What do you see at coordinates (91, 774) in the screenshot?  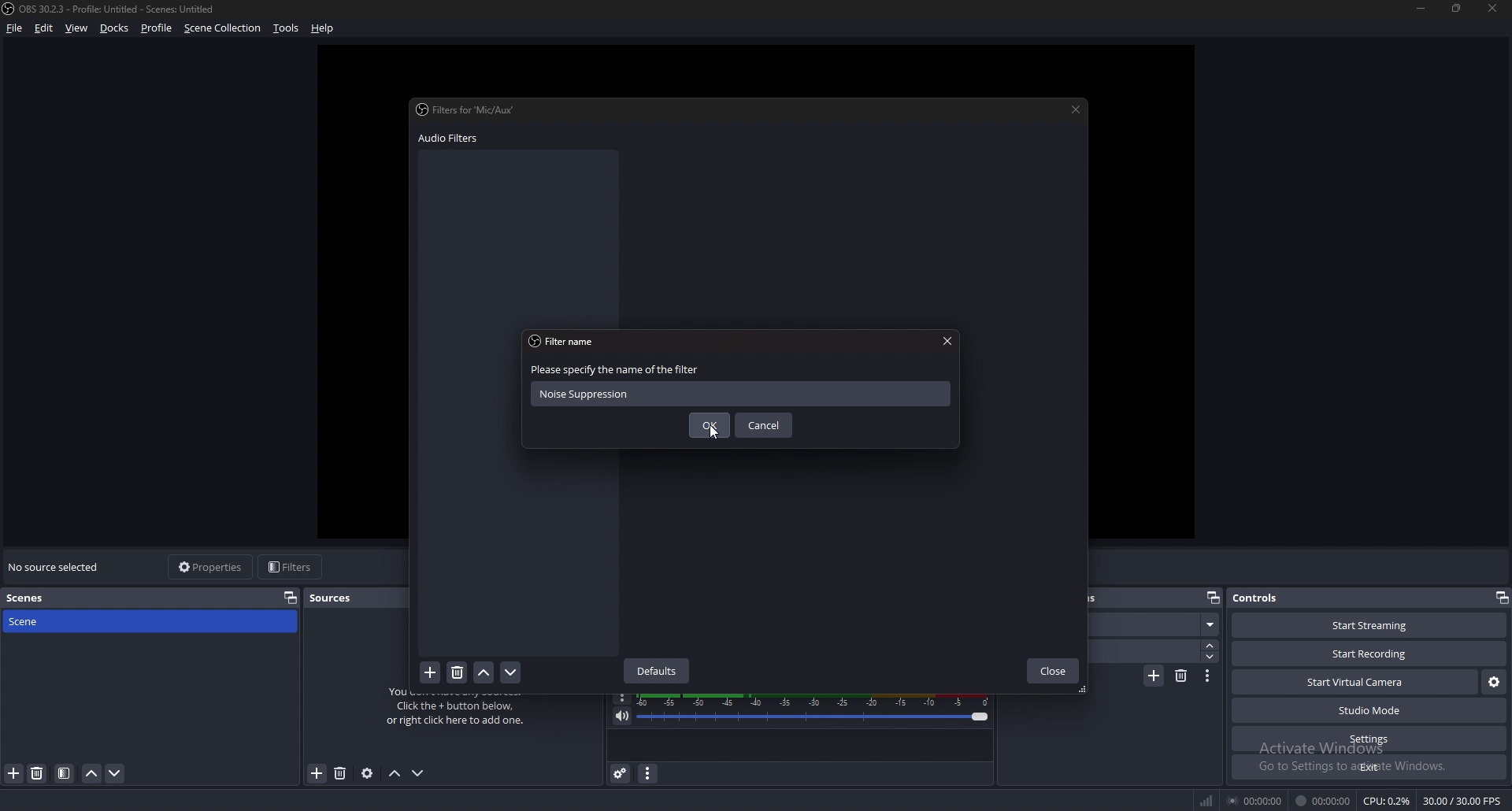 I see `move scene up` at bounding box center [91, 774].